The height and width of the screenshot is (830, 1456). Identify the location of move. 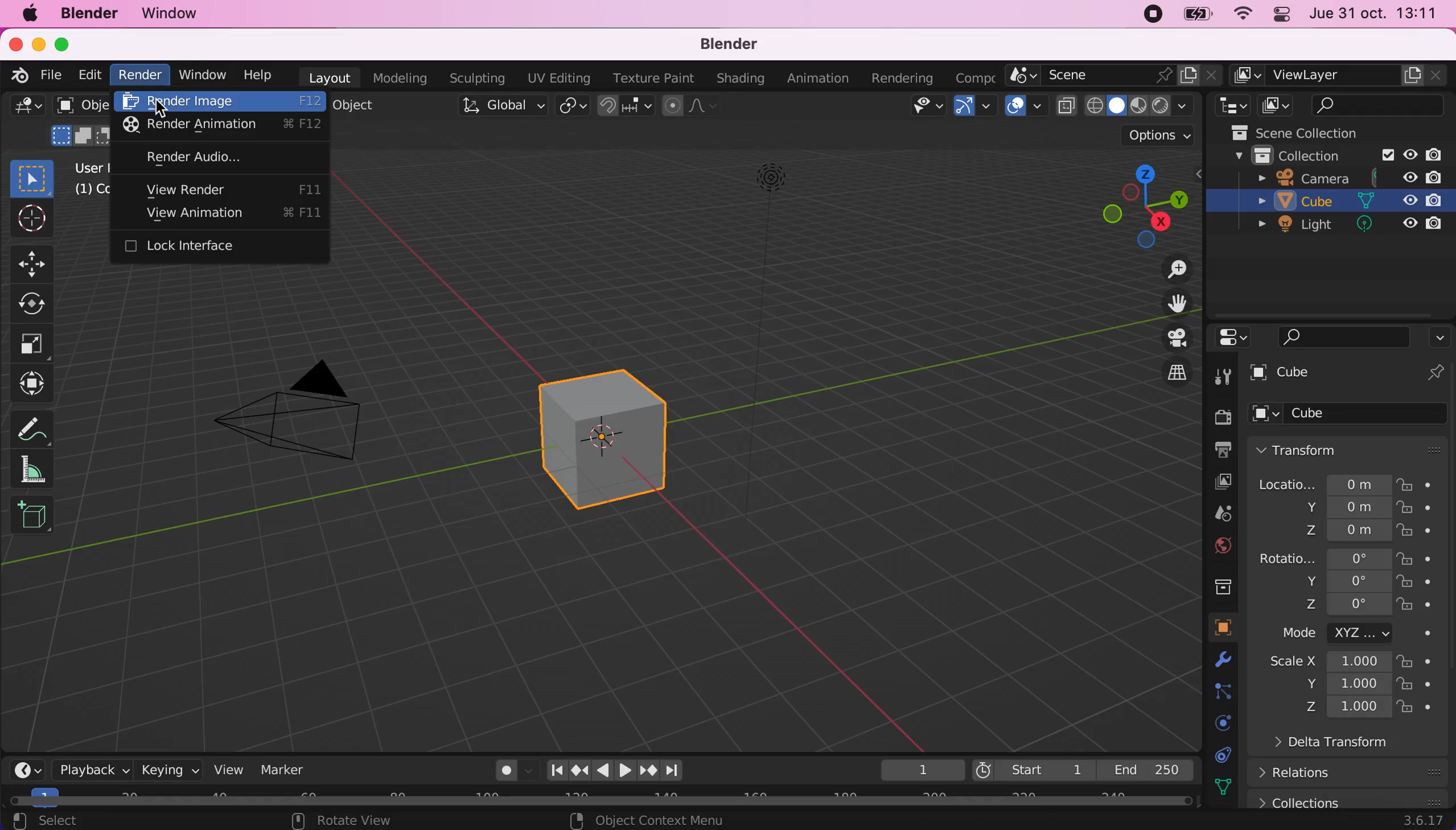
(32, 264).